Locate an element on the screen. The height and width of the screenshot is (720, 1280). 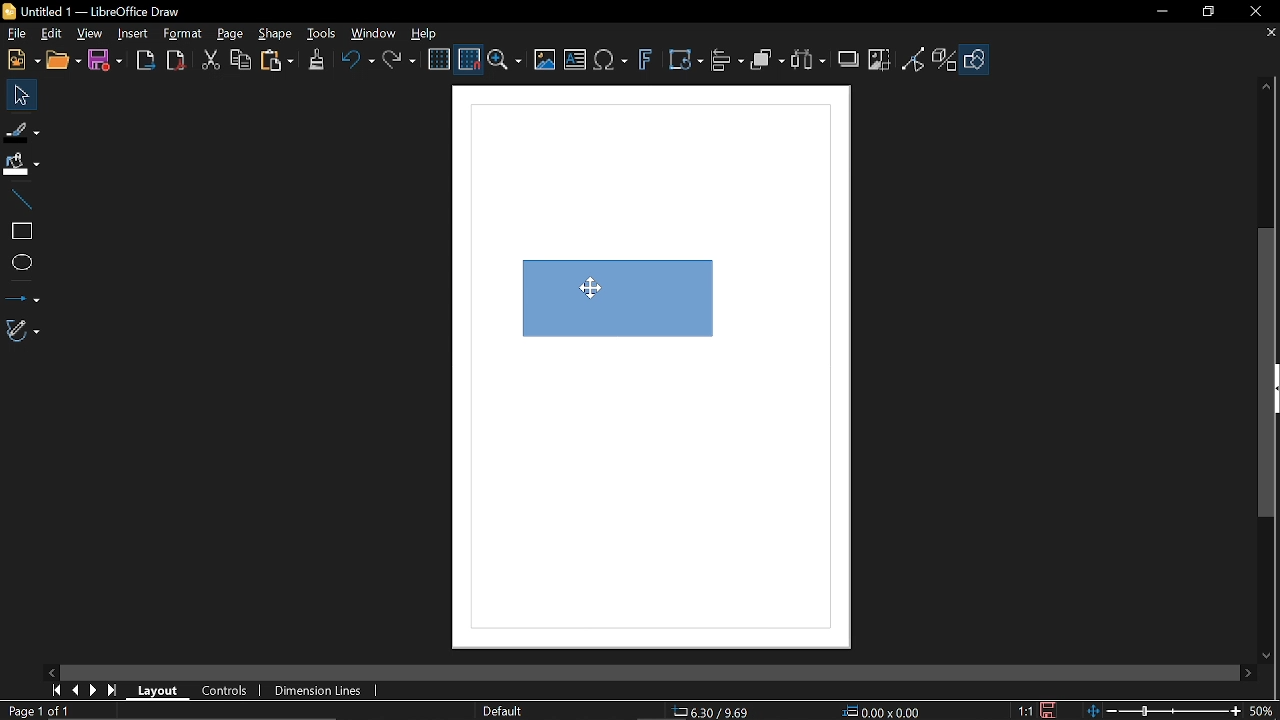
Layout is located at coordinates (158, 689).